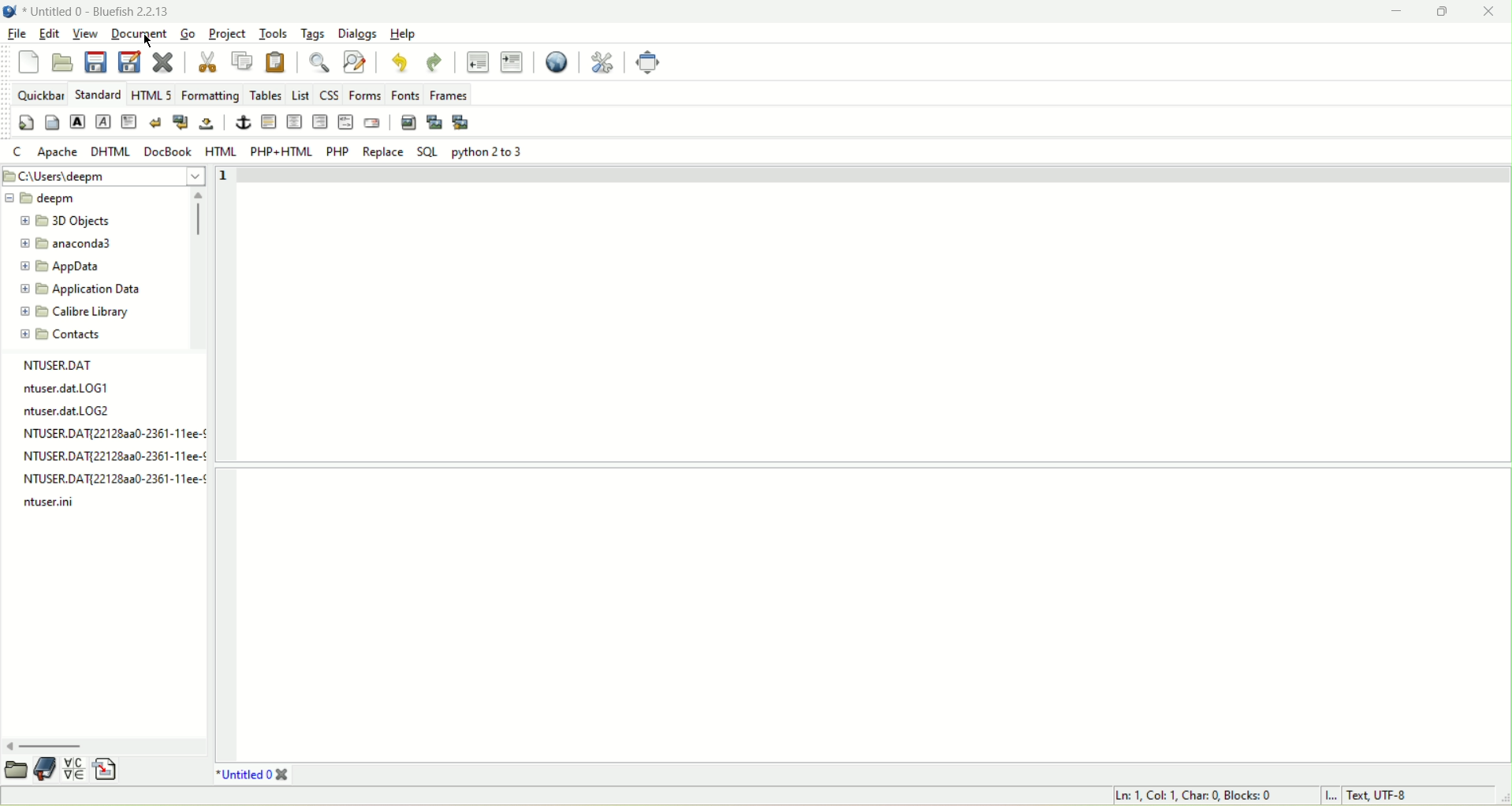  I want to click on emphasis, so click(103, 122).